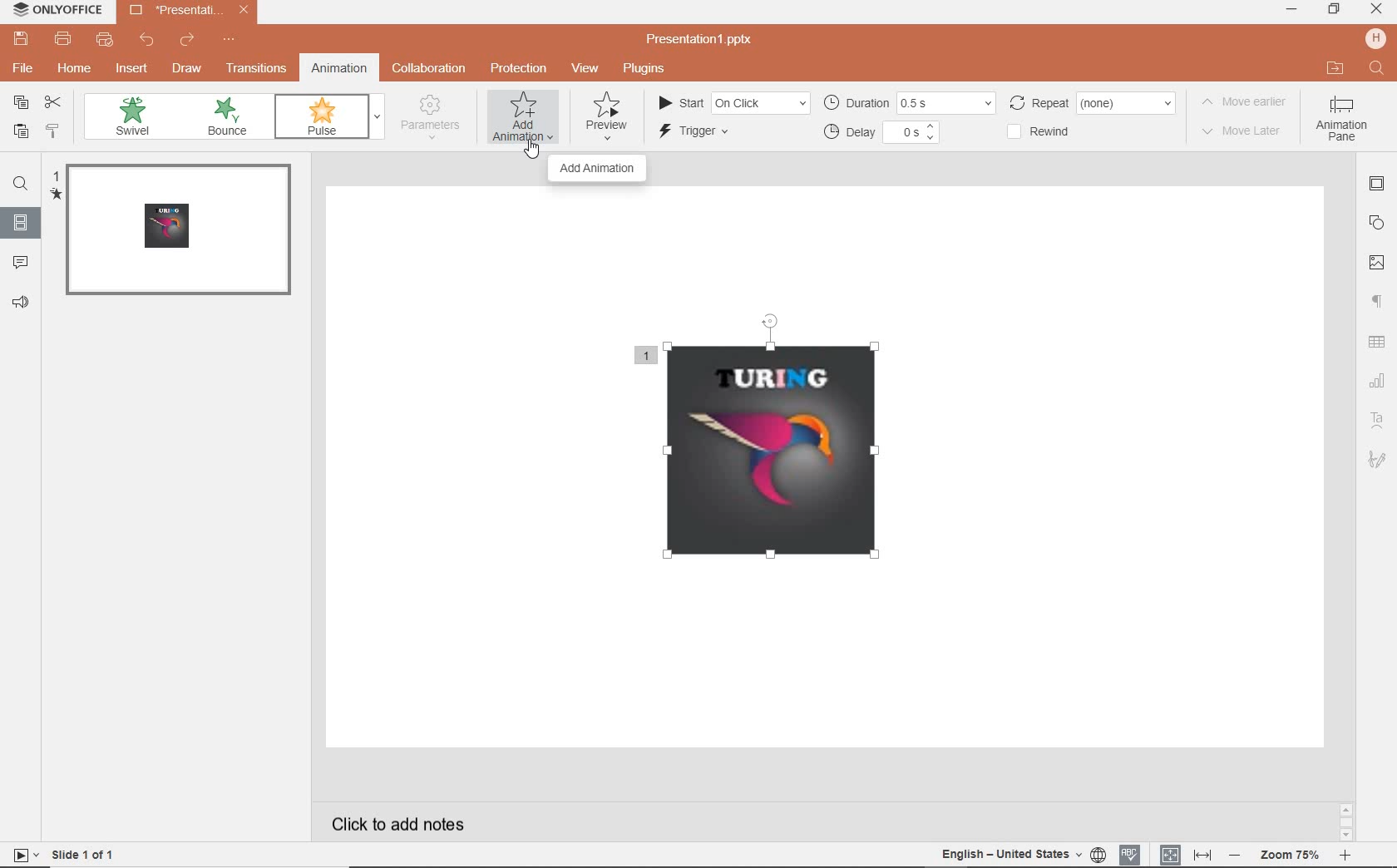 The image size is (1397, 868). I want to click on bounce, so click(229, 118).